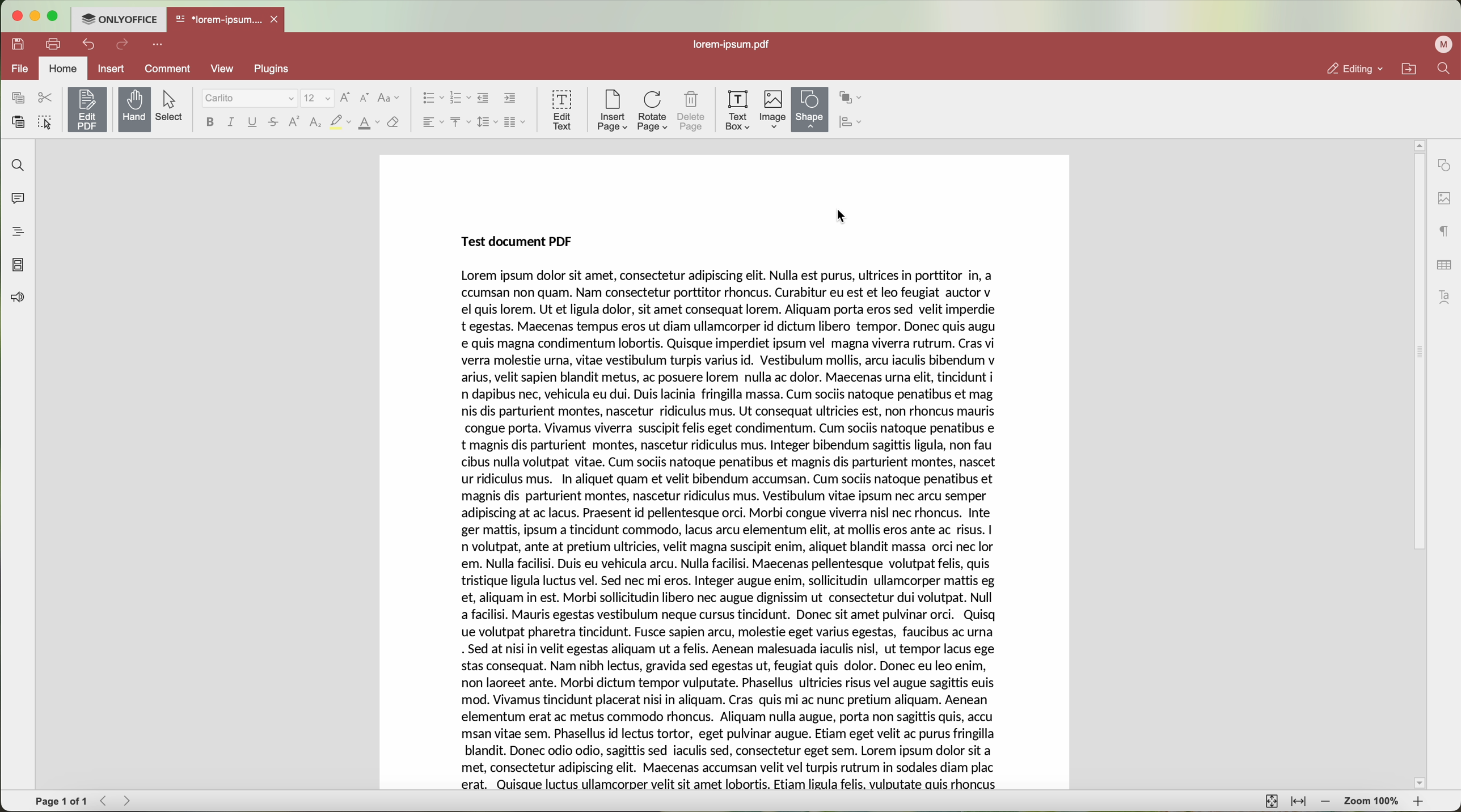 This screenshot has width=1461, height=812. What do you see at coordinates (230, 121) in the screenshot?
I see `italic` at bounding box center [230, 121].